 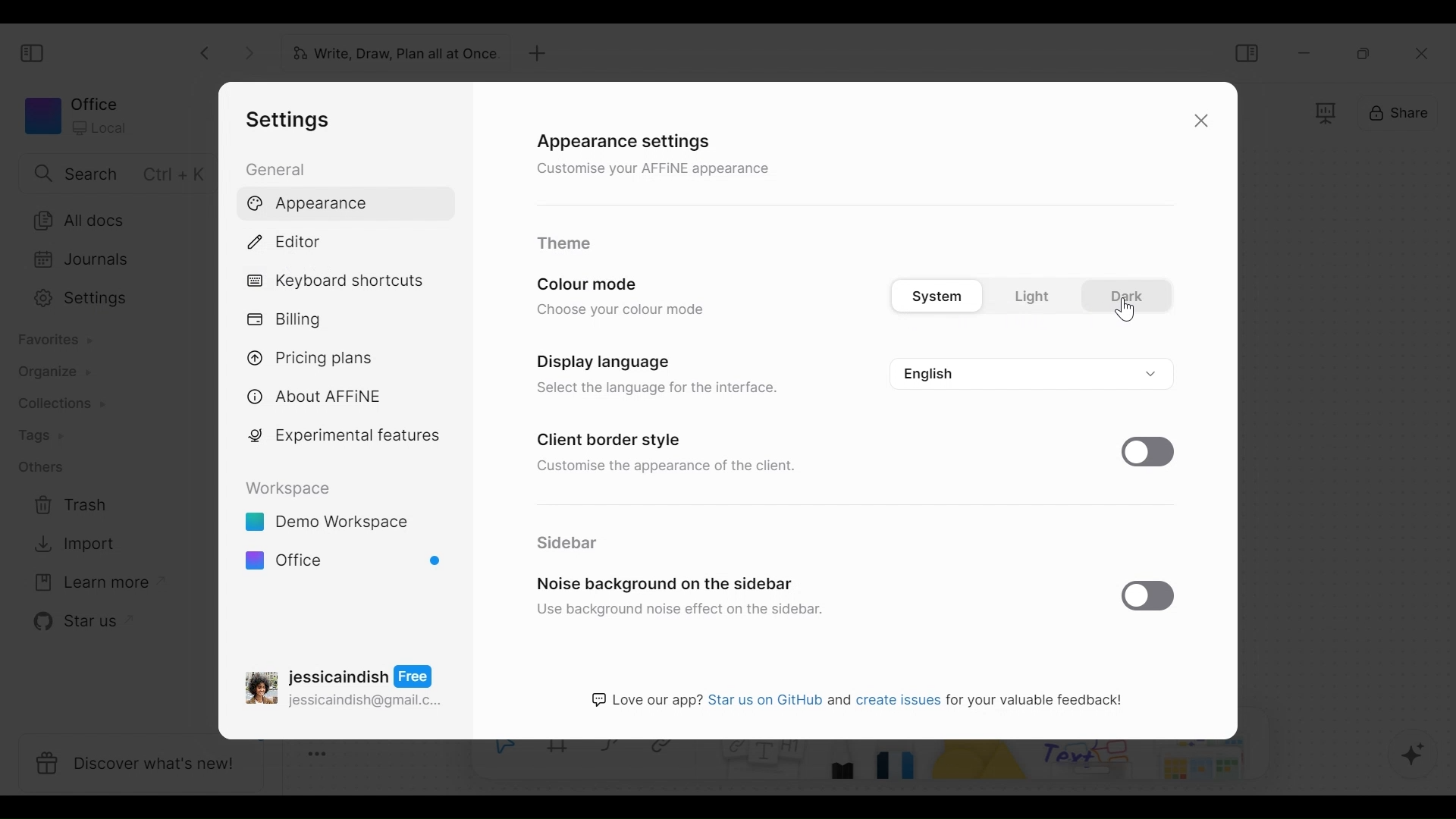 What do you see at coordinates (93, 585) in the screenshot?
I see `Learn more` at bounding box center [93, 585].